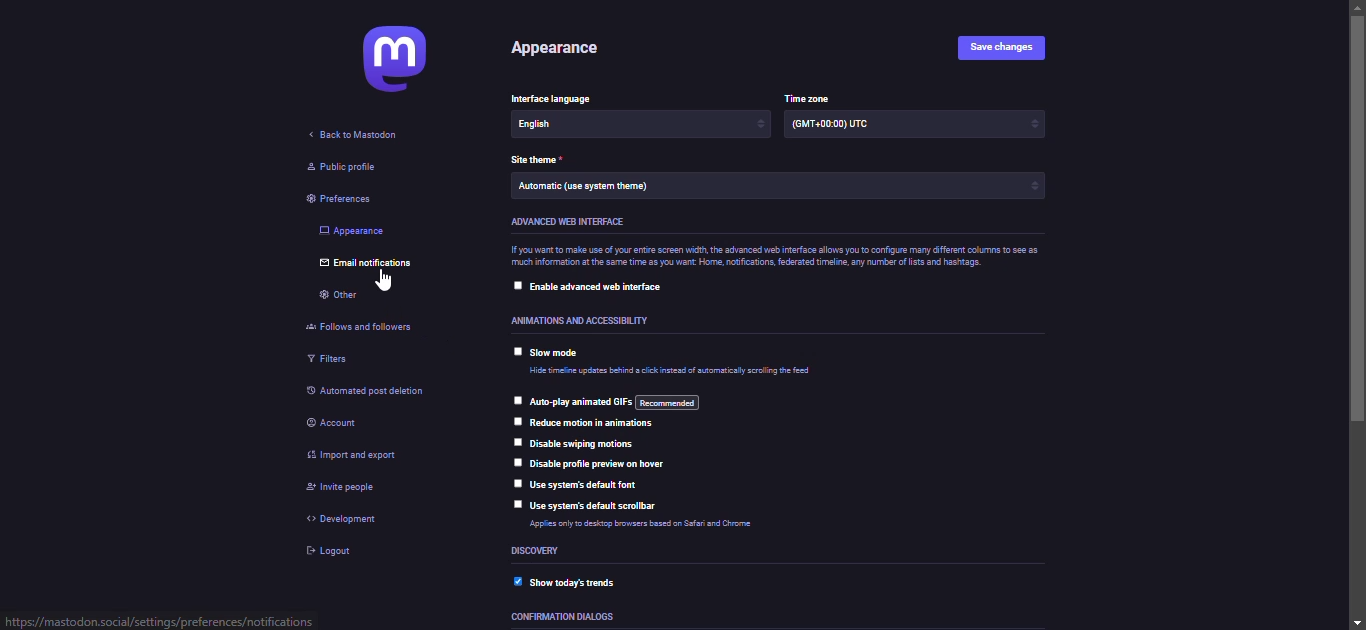 This screenshot has height=630, width=1366. I want to click on email notifications, so click(369, 265).